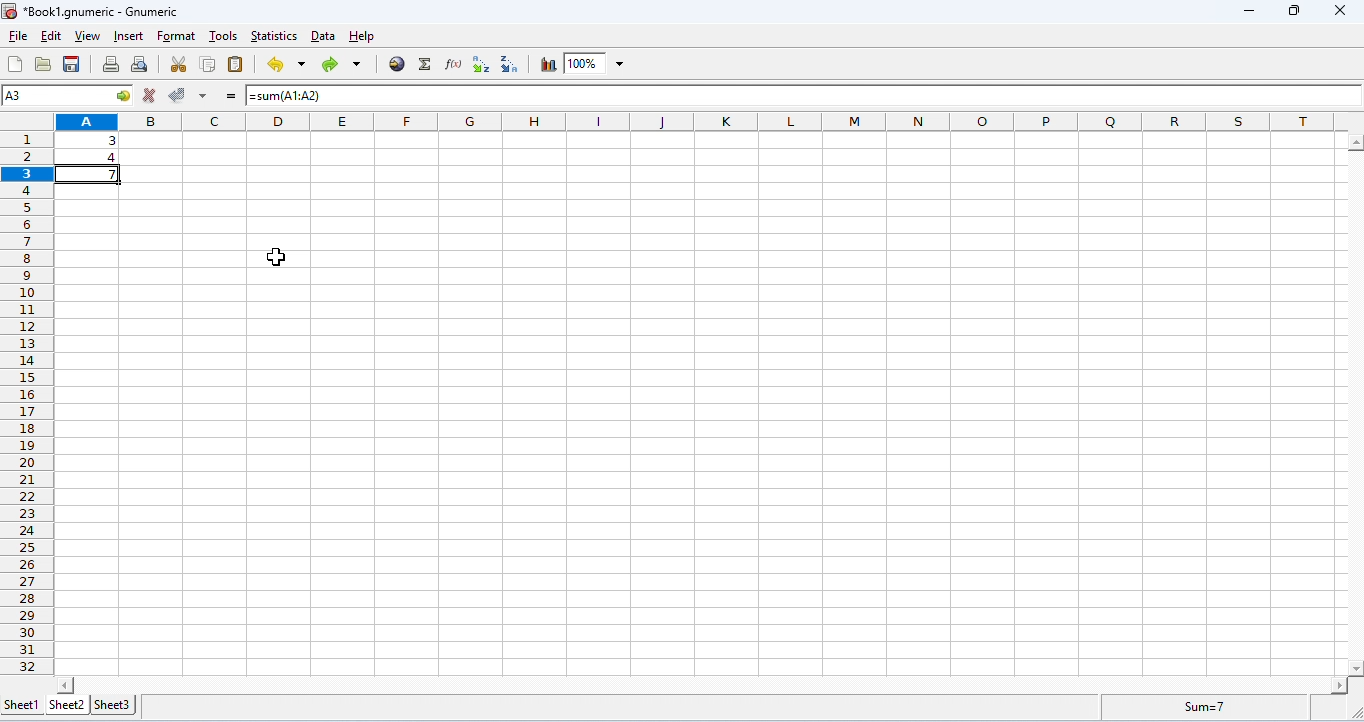 This screenshot has height=722, width=1364. I want to click on undo, so click(284, 66).